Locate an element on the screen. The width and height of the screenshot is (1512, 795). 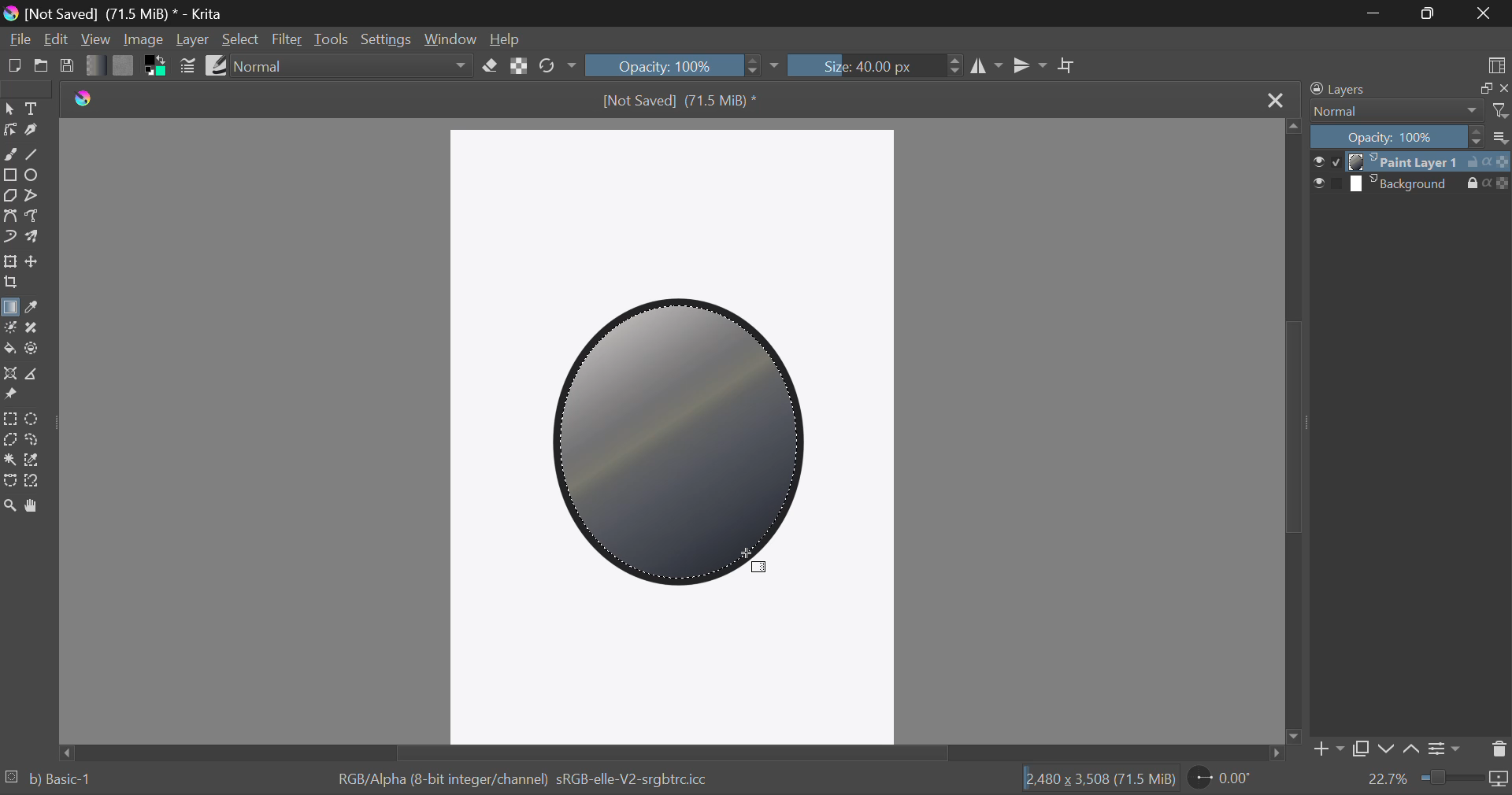
close is located at coordinates (1504, 87).